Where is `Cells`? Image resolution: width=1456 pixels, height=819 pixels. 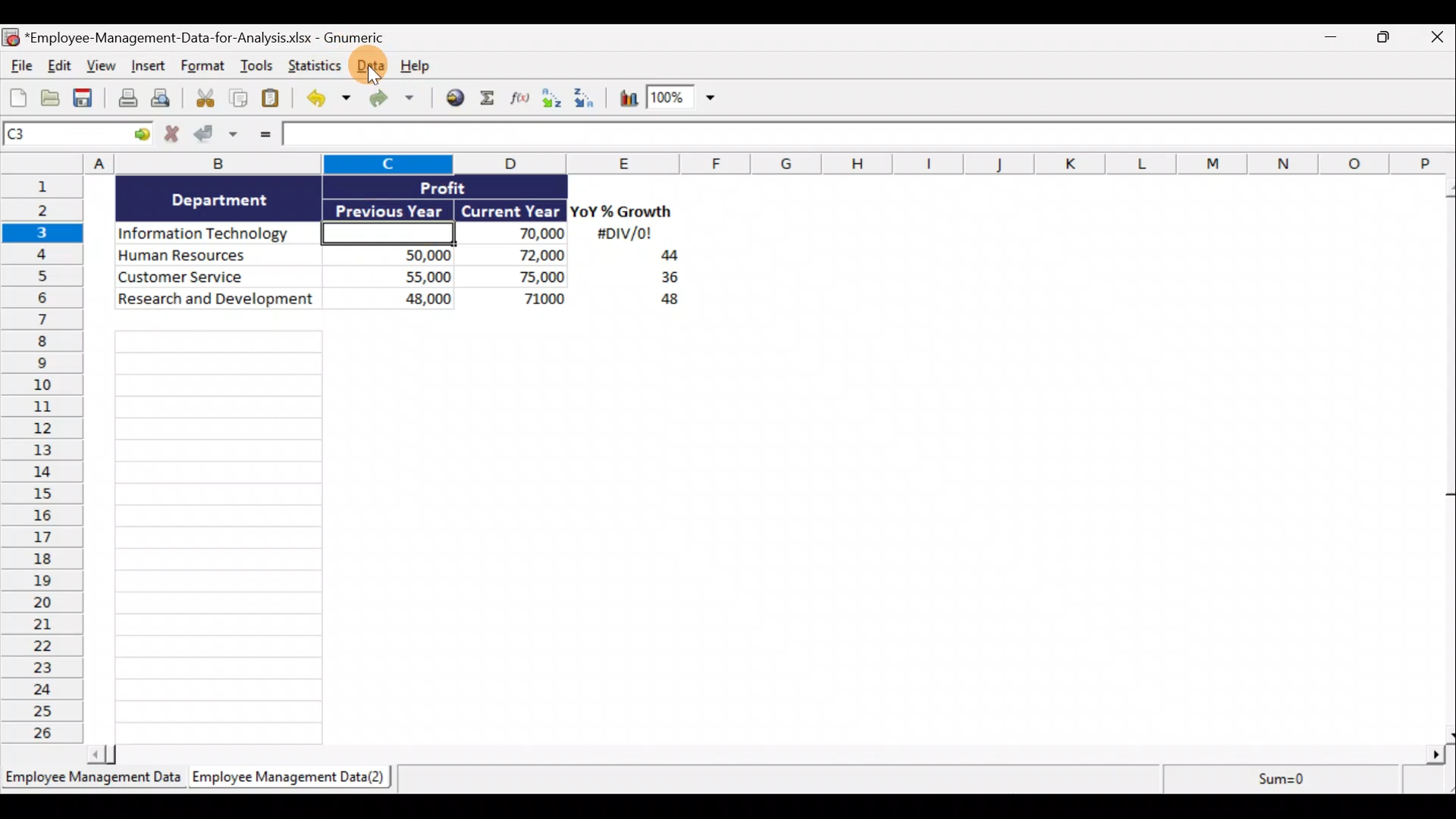
Cells is located at coordinates (755, 531).